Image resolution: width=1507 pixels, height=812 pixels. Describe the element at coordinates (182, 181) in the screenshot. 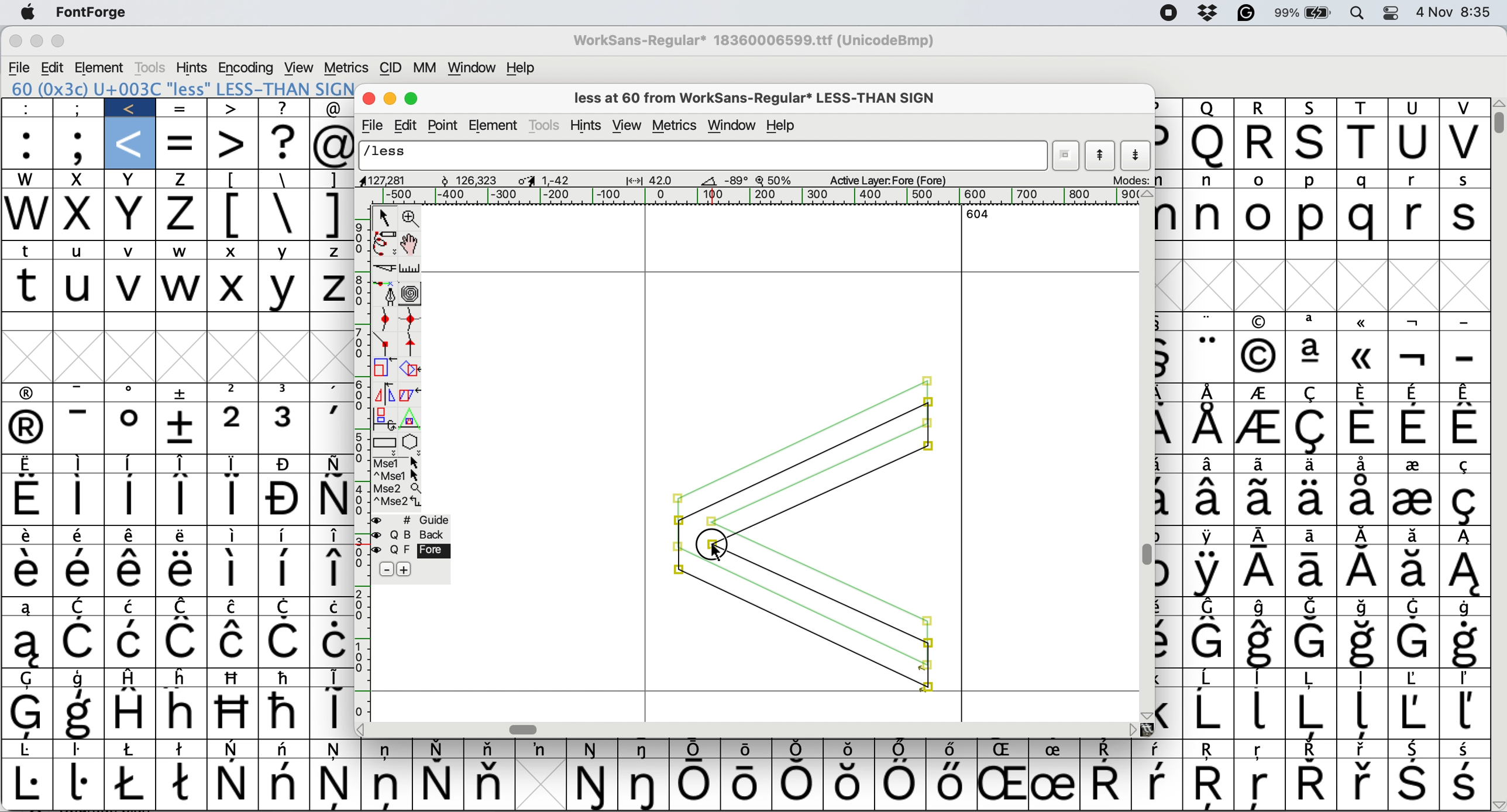

I see `z` at that location.